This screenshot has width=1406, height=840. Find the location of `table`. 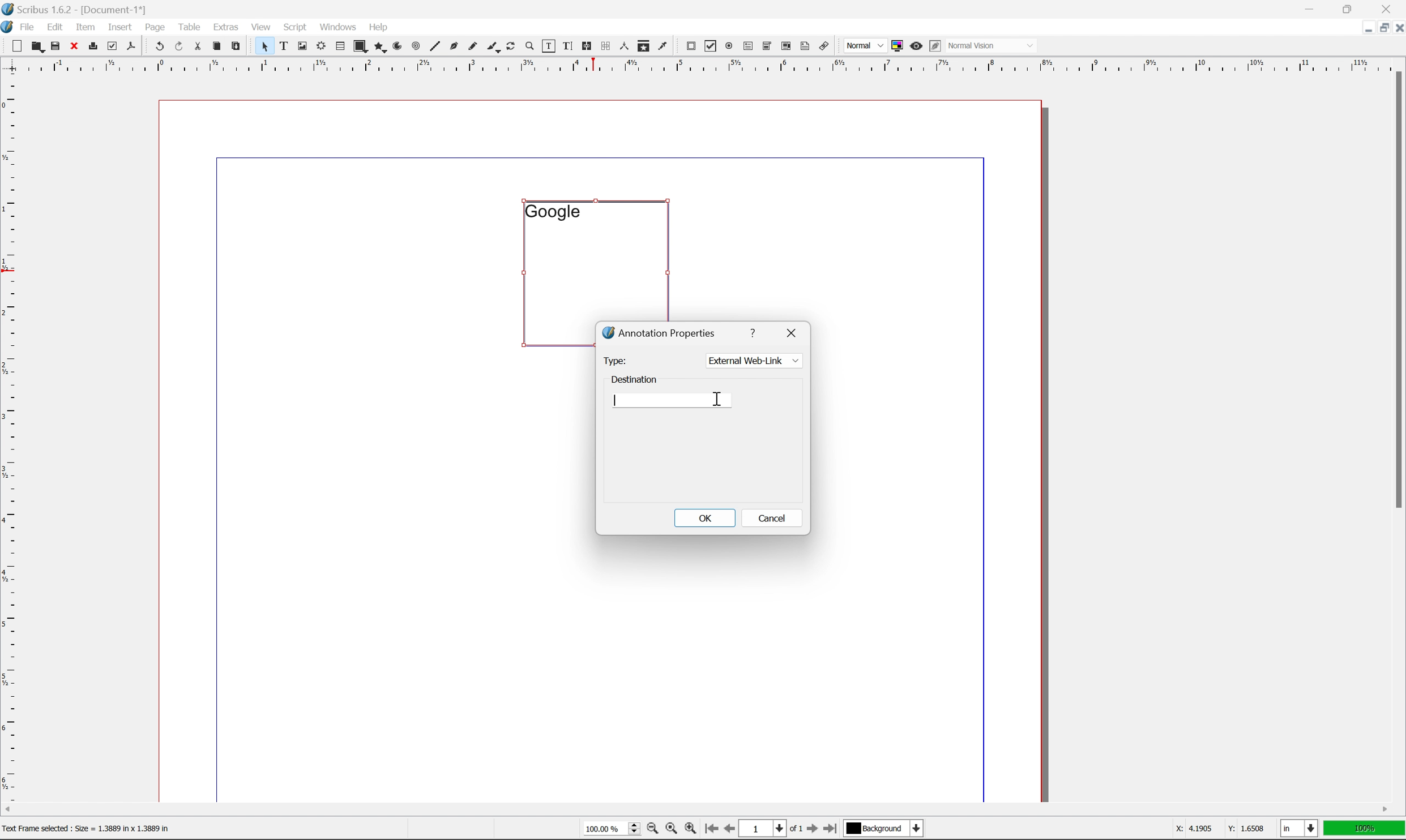

table is located at coordinates (340, 47).